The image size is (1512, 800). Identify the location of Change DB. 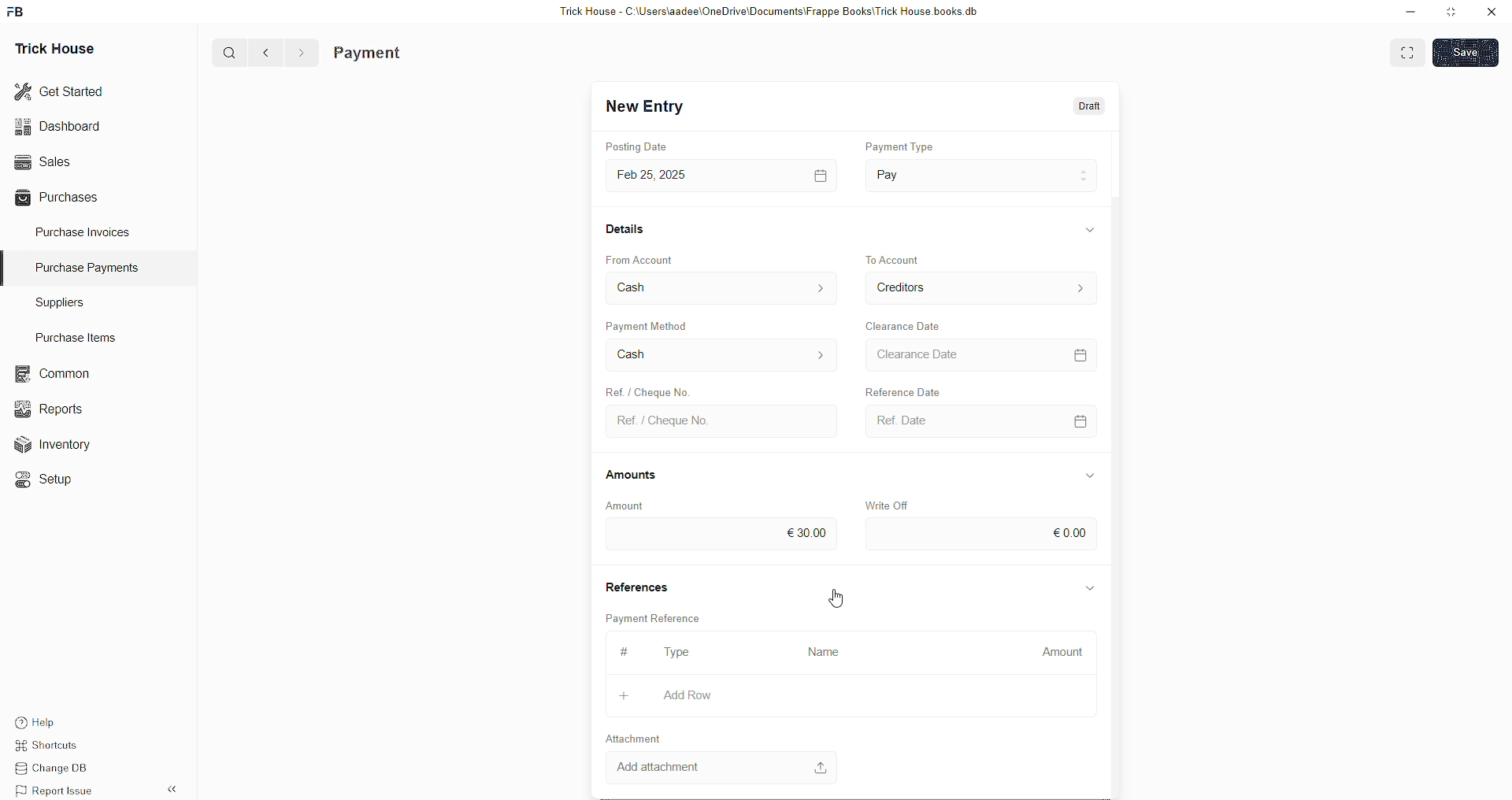
(60, 769).